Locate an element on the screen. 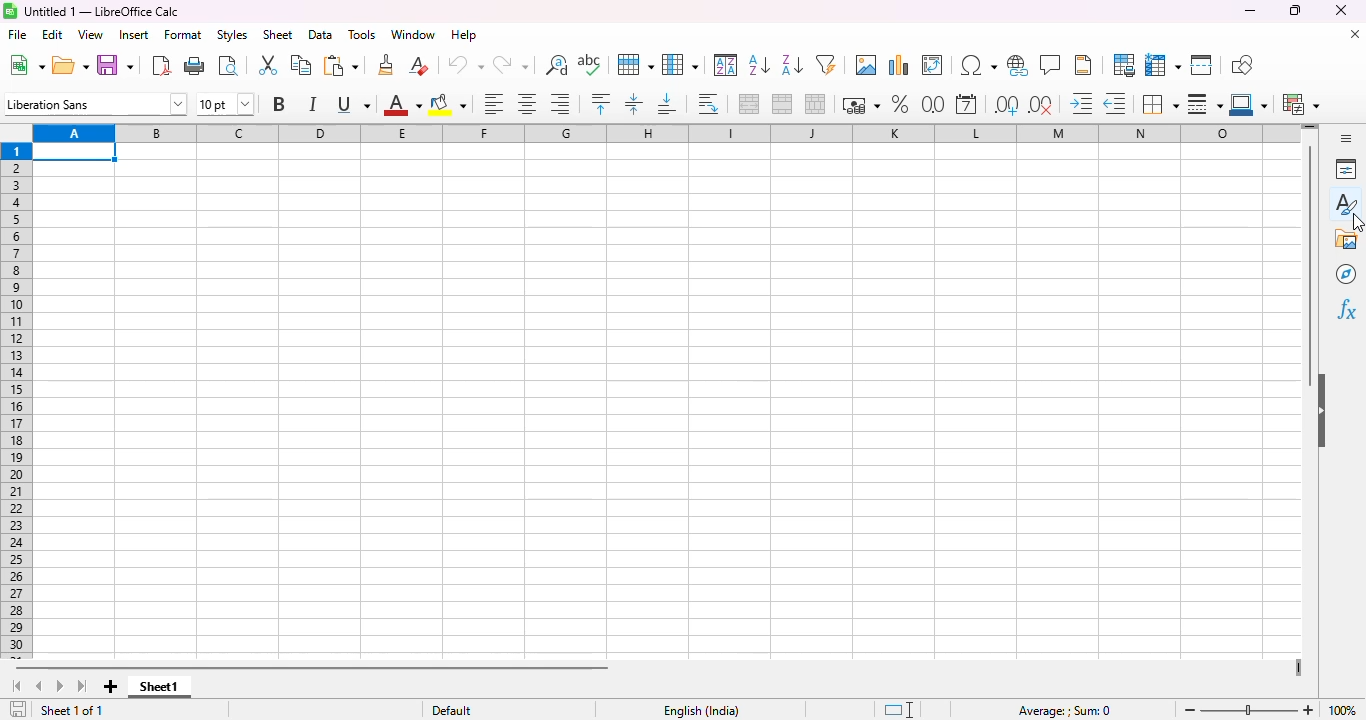 The image size is (1366, 720). format as currency is located at coordinates (860, 104).